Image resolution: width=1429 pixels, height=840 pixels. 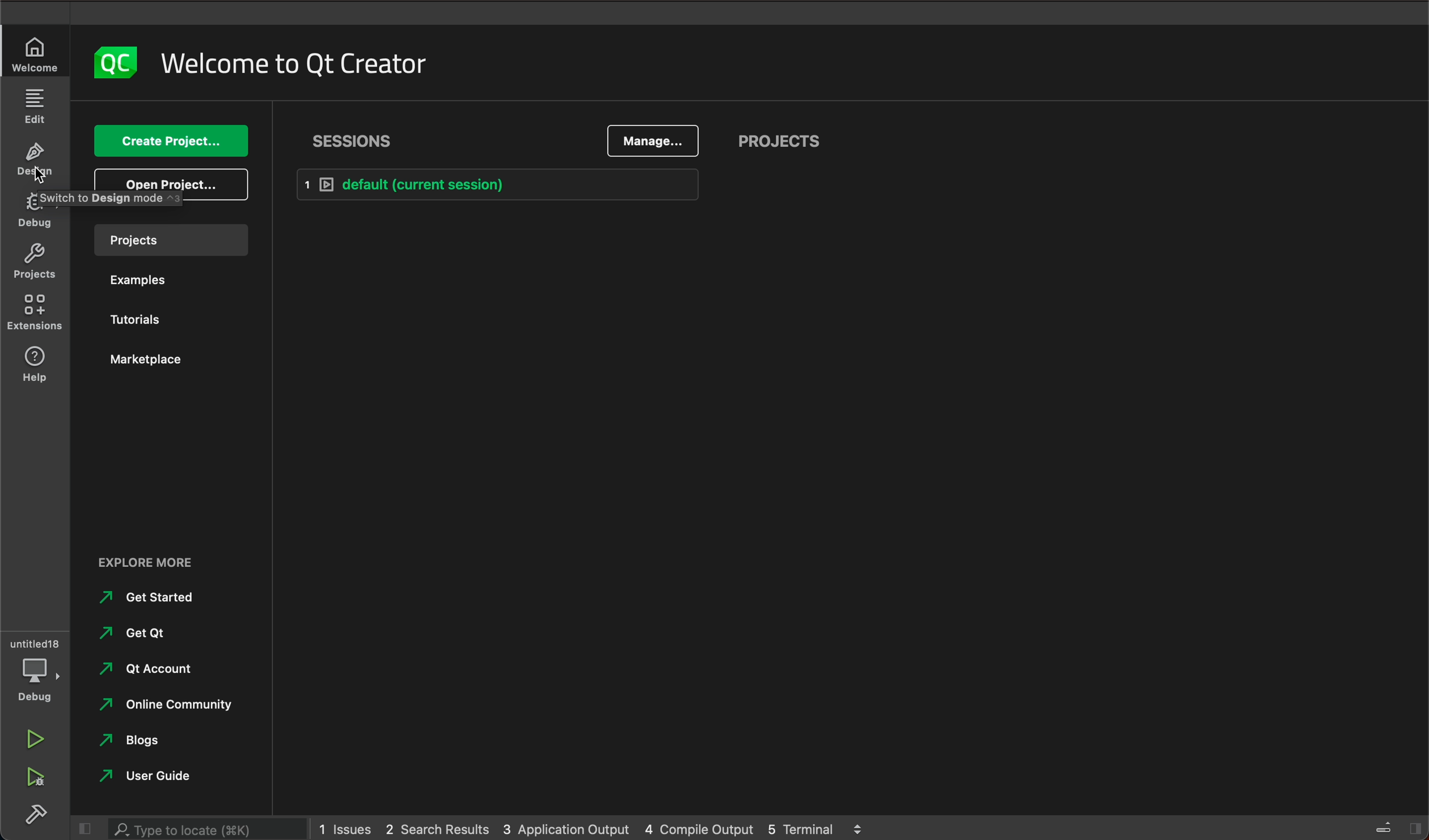 I want to click on projects, so click(x=33, y=266).